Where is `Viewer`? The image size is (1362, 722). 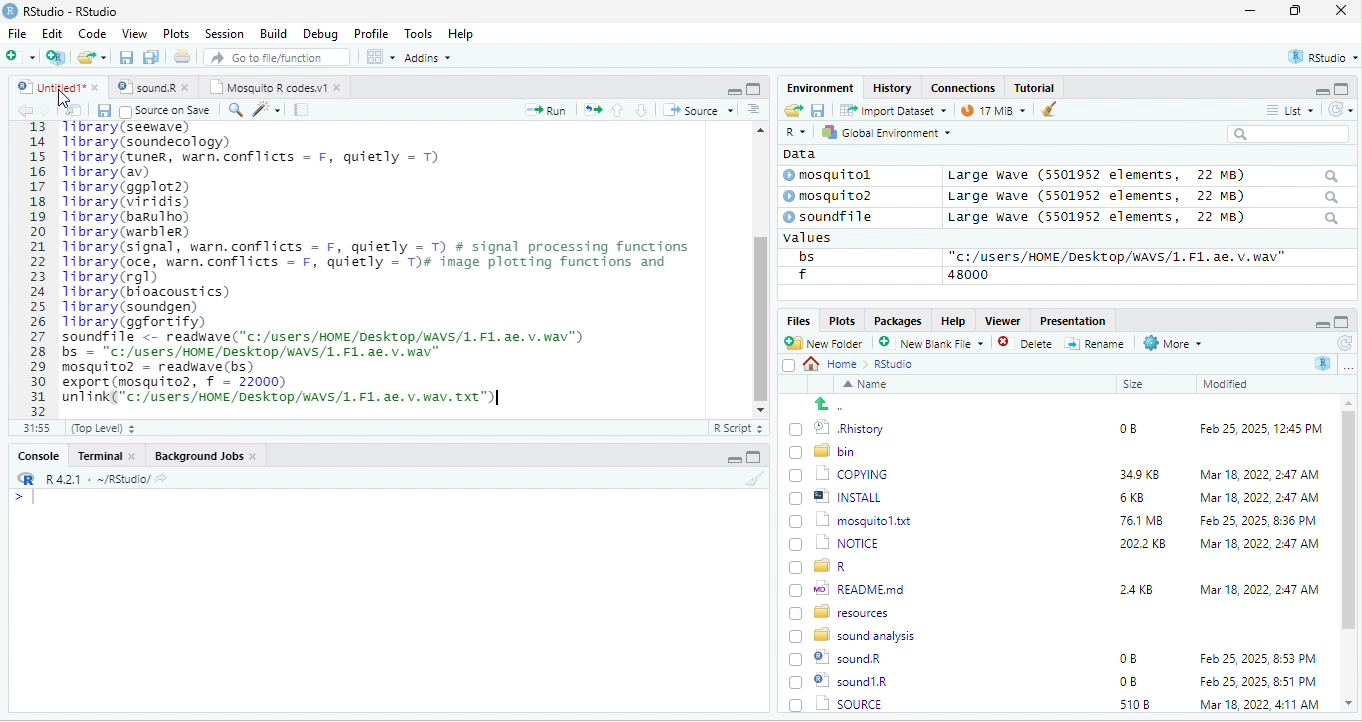 Viewer is located at coordinates (1000, 321).